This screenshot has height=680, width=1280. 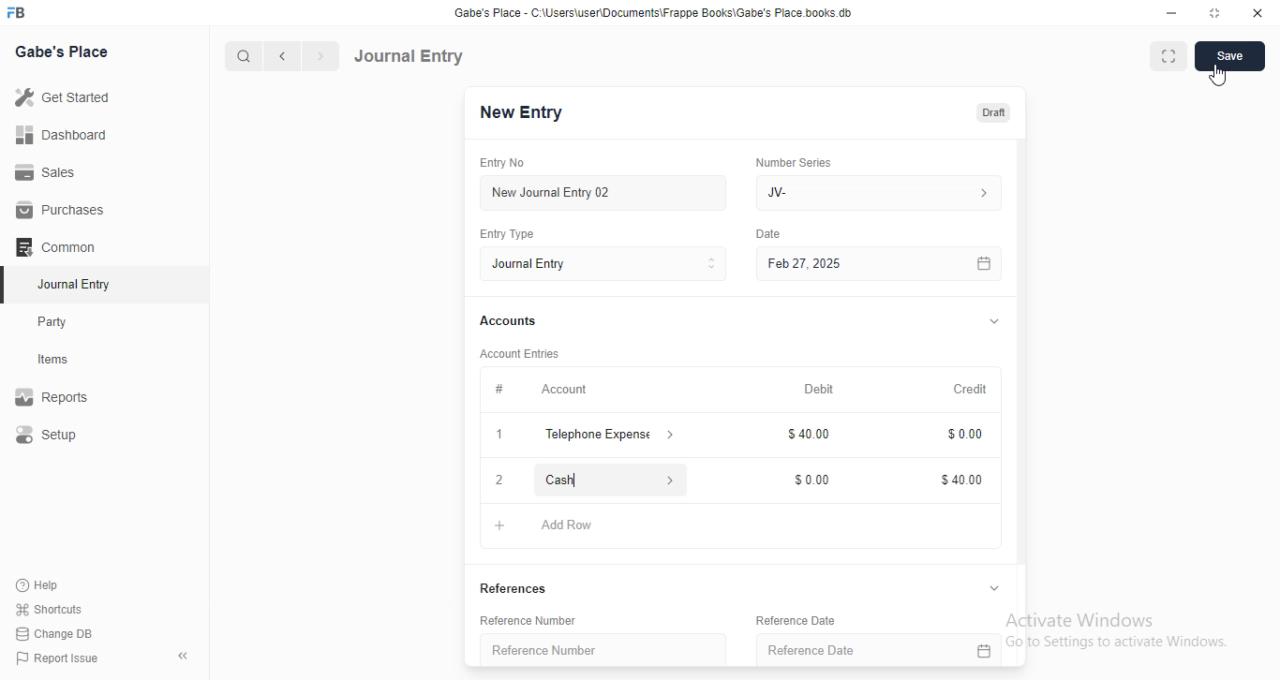 I want to click on ‘Reference Number, so click(x=543, y=650).